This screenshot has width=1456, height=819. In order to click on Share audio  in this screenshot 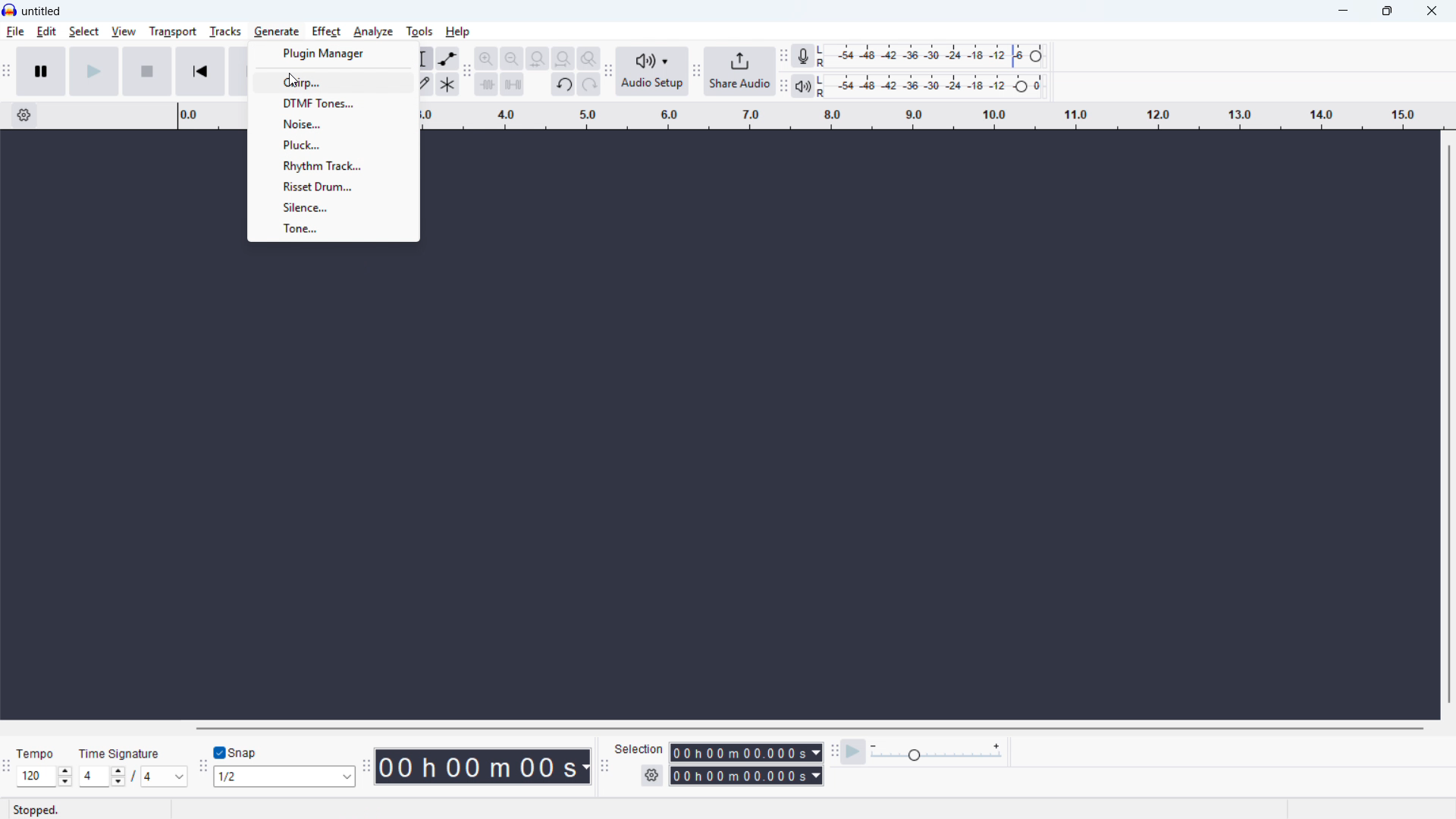, I will do `click(741, 71)`.